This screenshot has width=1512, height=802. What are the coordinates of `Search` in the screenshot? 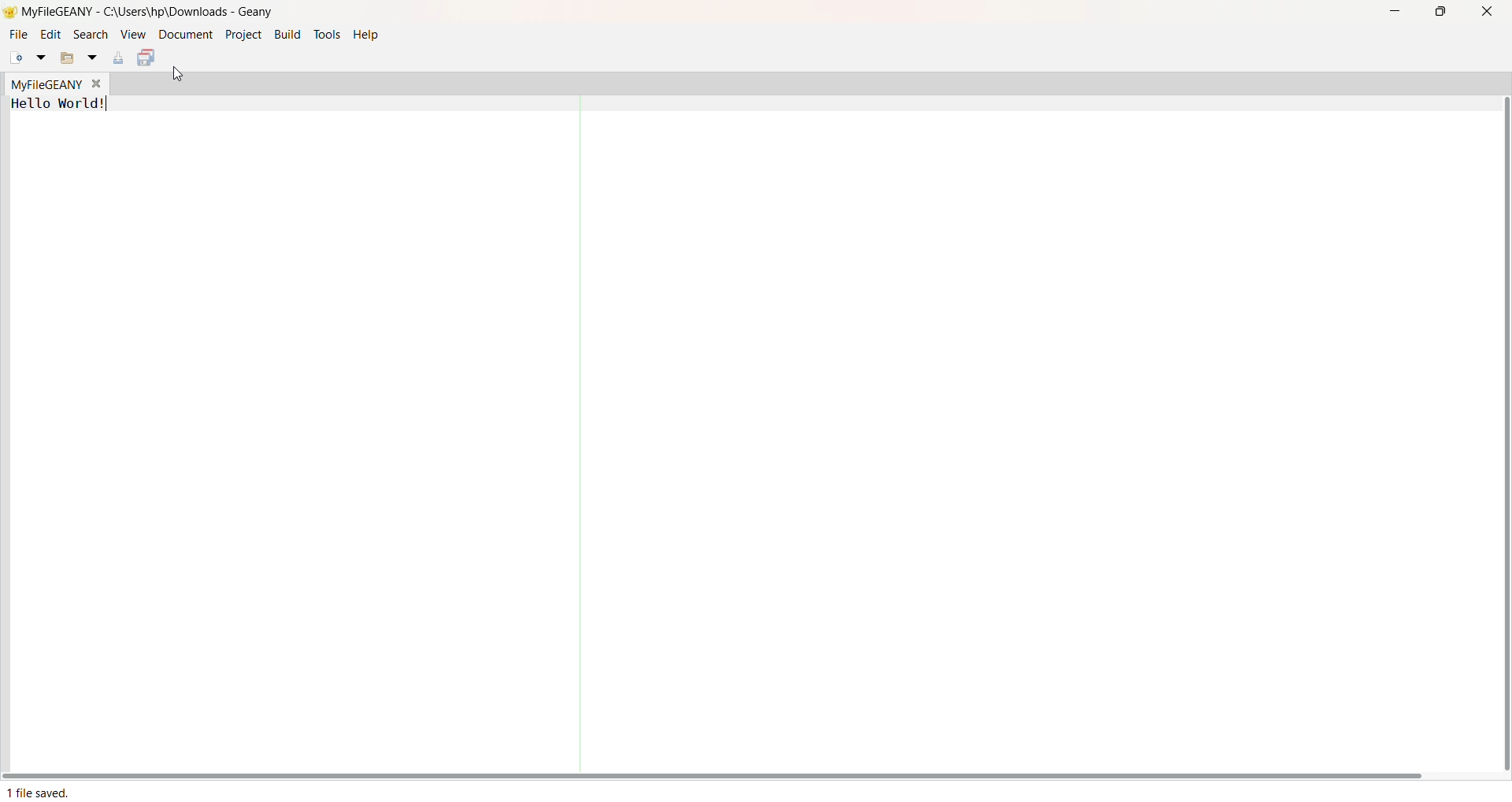 It's located at (87, 35).